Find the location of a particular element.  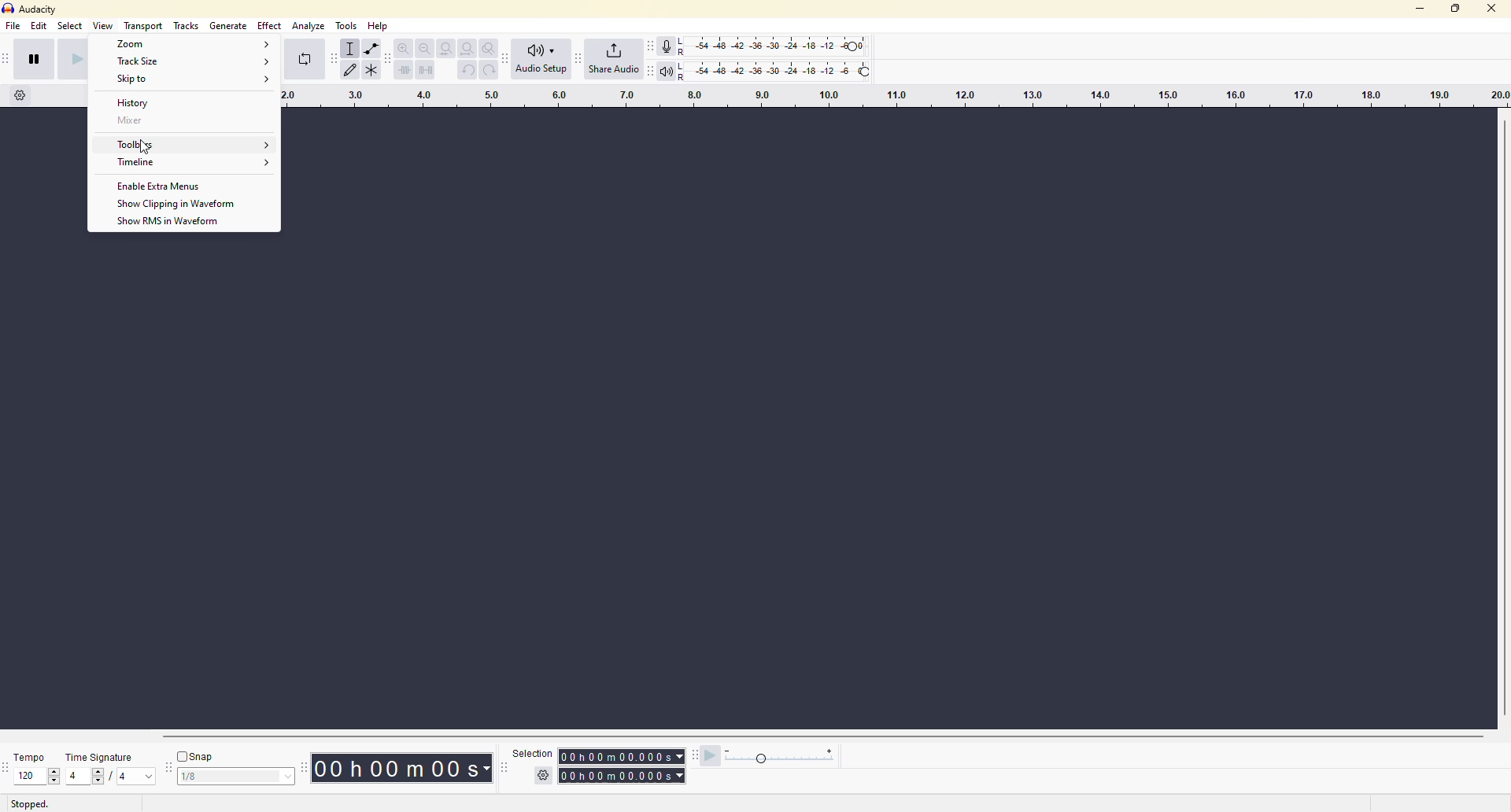

share audio is located at coordinates (613, 58).